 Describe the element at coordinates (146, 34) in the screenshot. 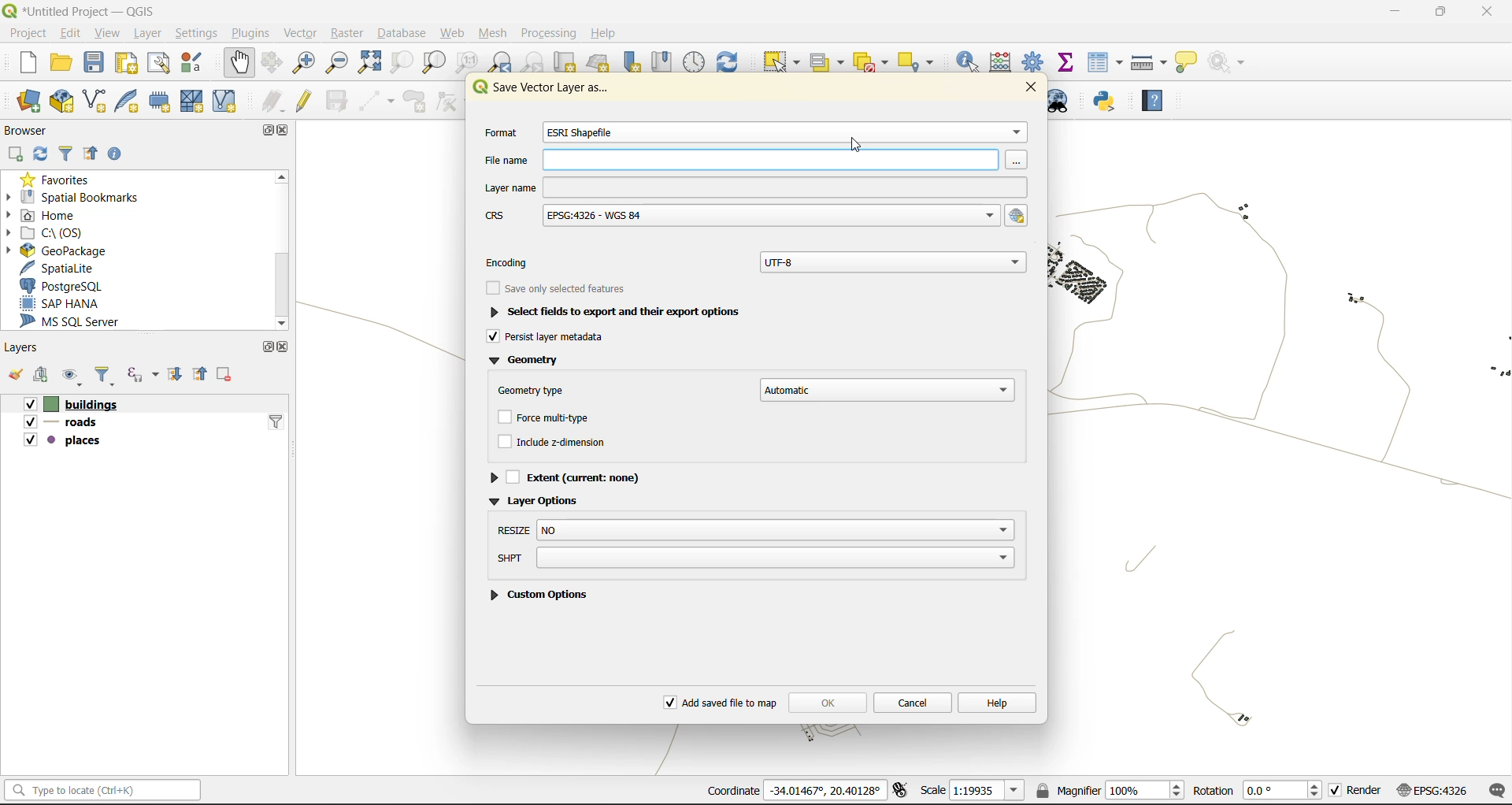

I see `layer` at that location.